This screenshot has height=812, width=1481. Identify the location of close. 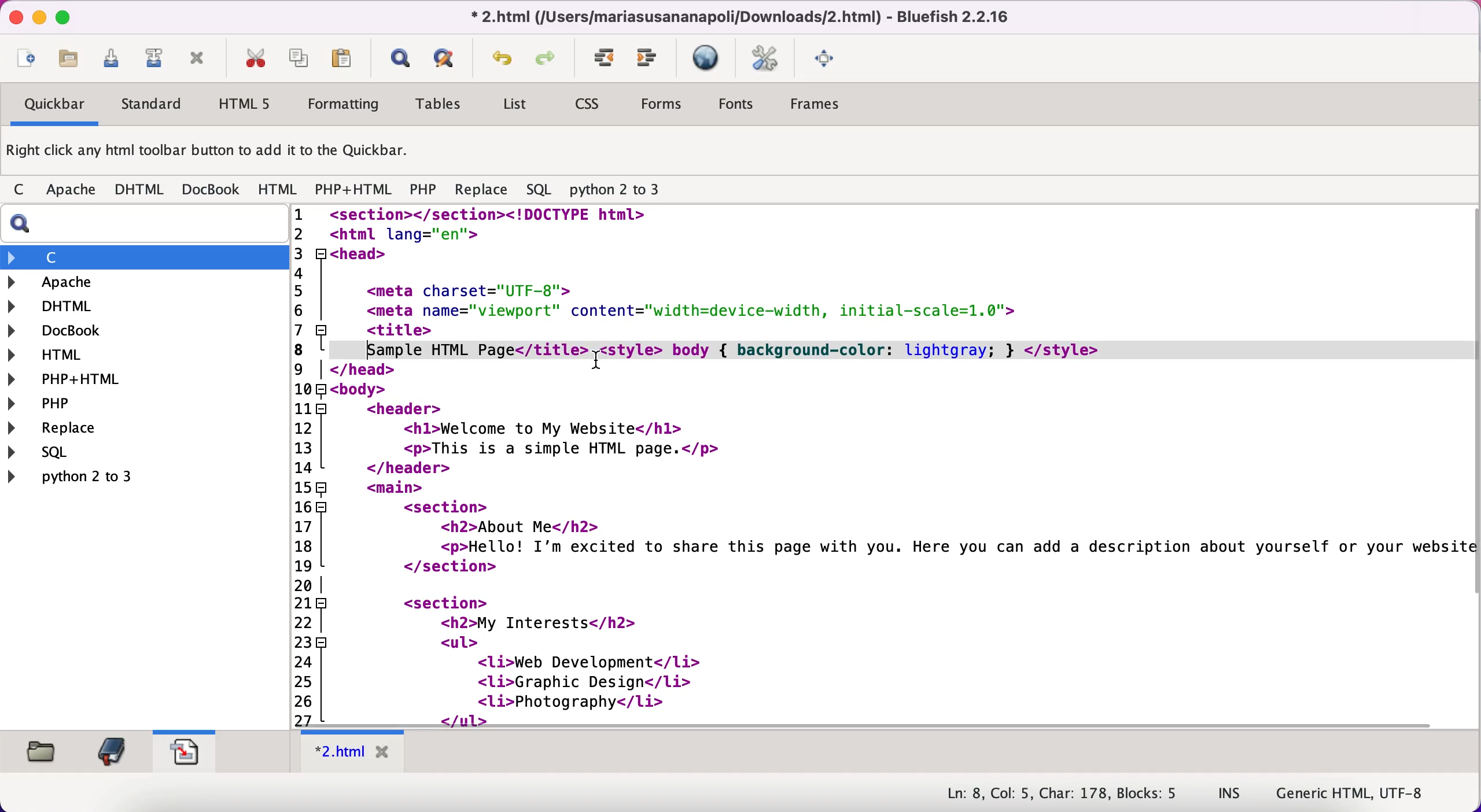
(13, 17).